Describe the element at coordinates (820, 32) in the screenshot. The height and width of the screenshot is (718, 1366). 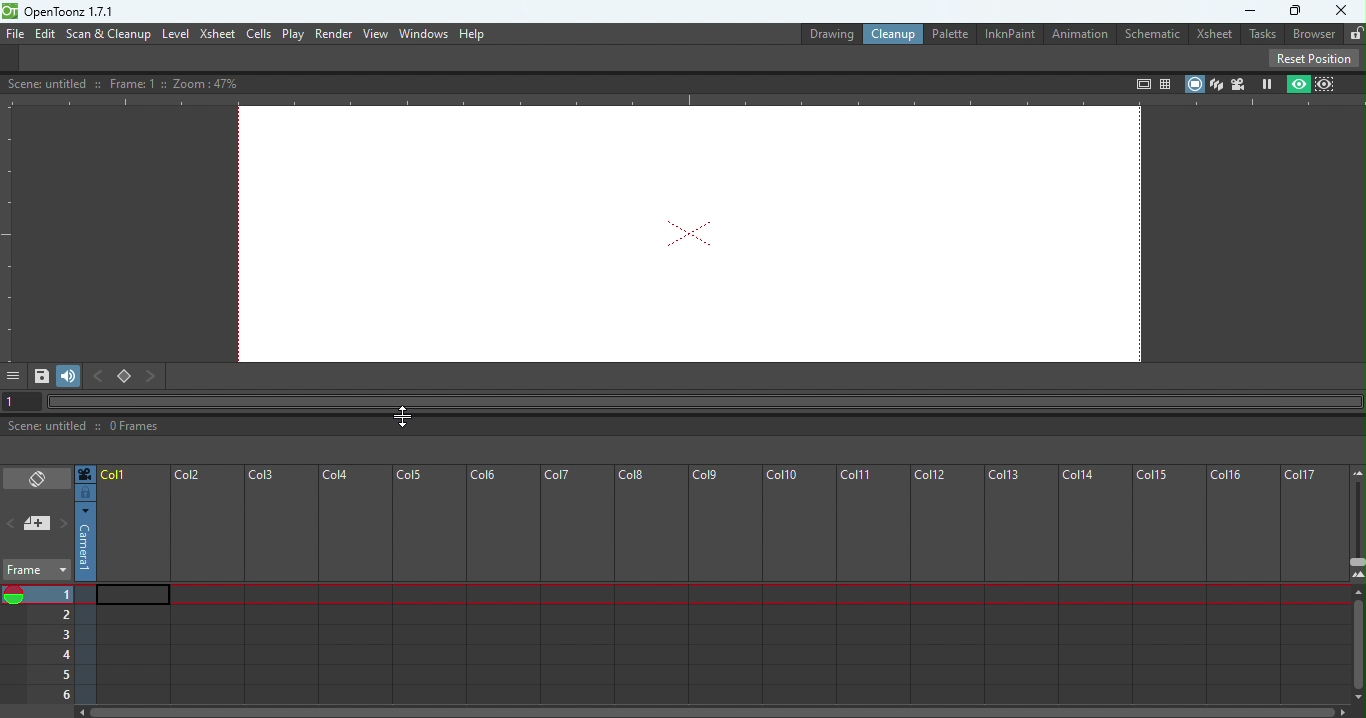
I see `Drawing` at that location.